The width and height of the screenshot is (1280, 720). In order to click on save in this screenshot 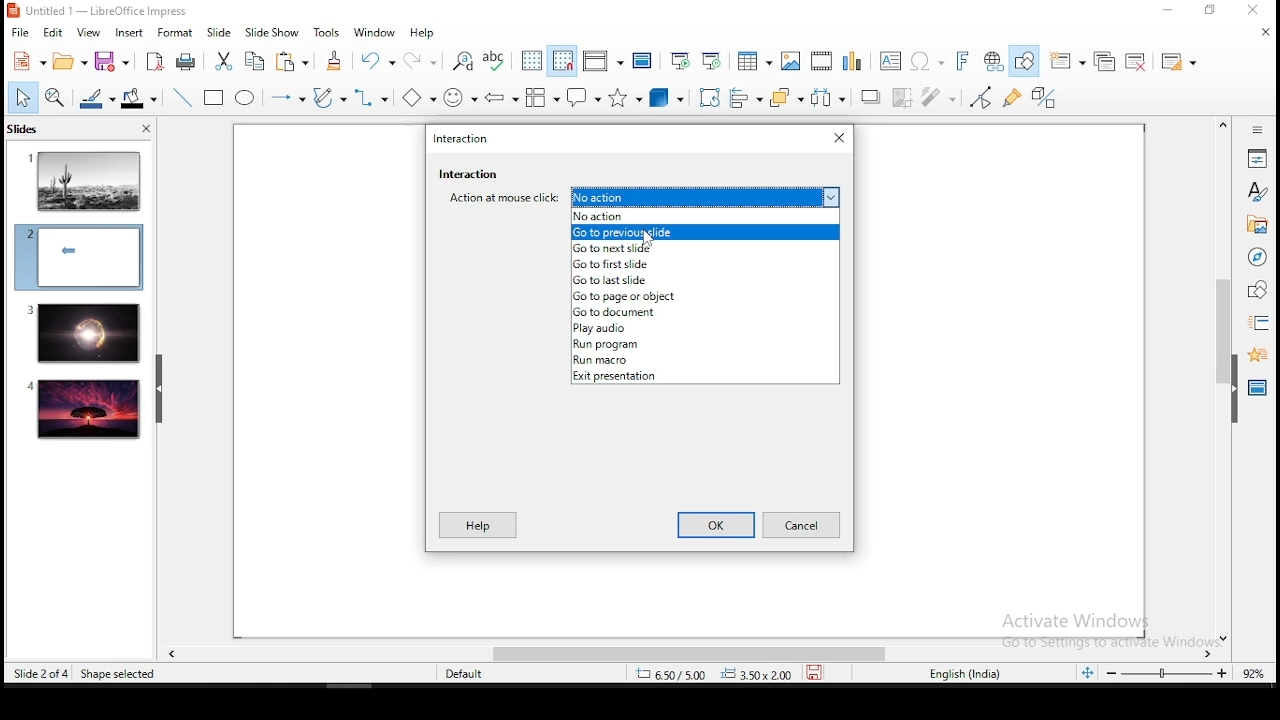, I will do `click(819, 672)`.